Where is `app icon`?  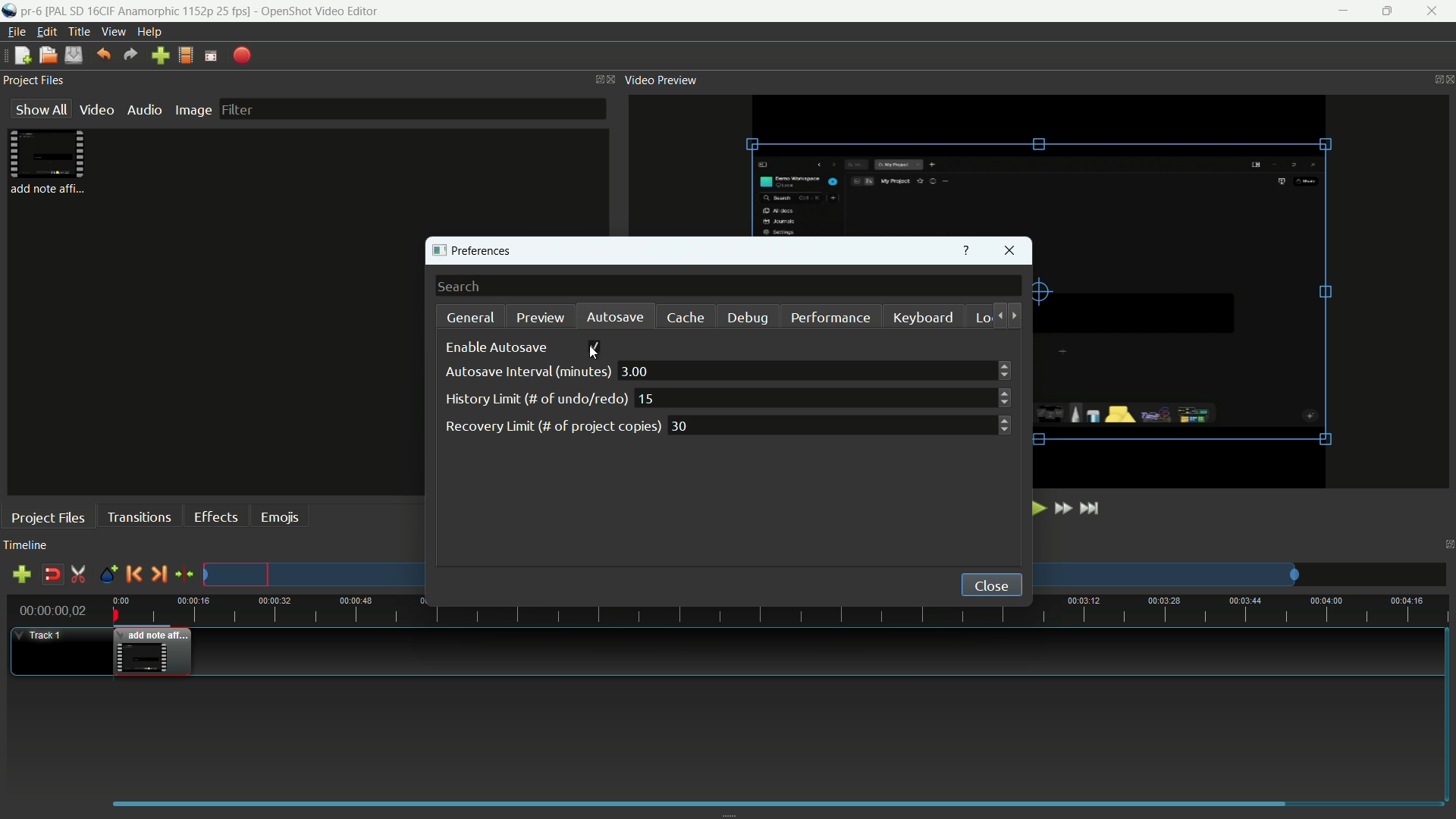 app icon is located at coordinates (9, 12).